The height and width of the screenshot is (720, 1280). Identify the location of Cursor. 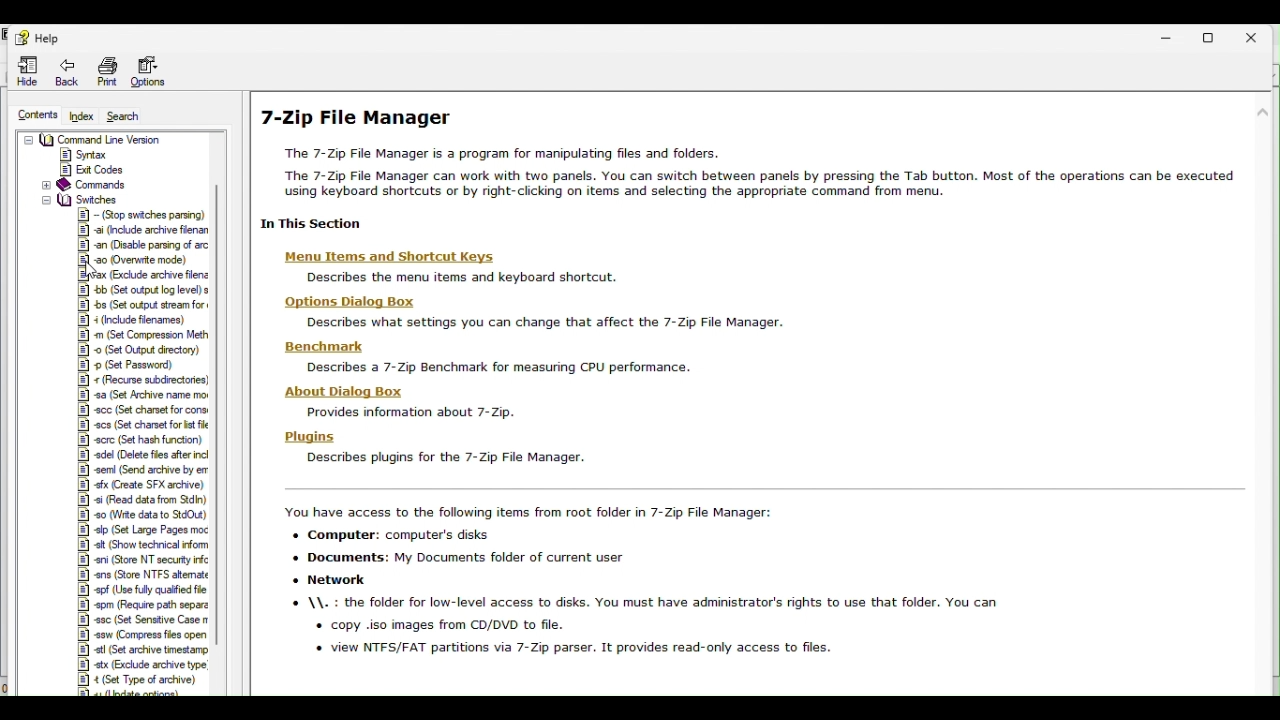
(92, 272).